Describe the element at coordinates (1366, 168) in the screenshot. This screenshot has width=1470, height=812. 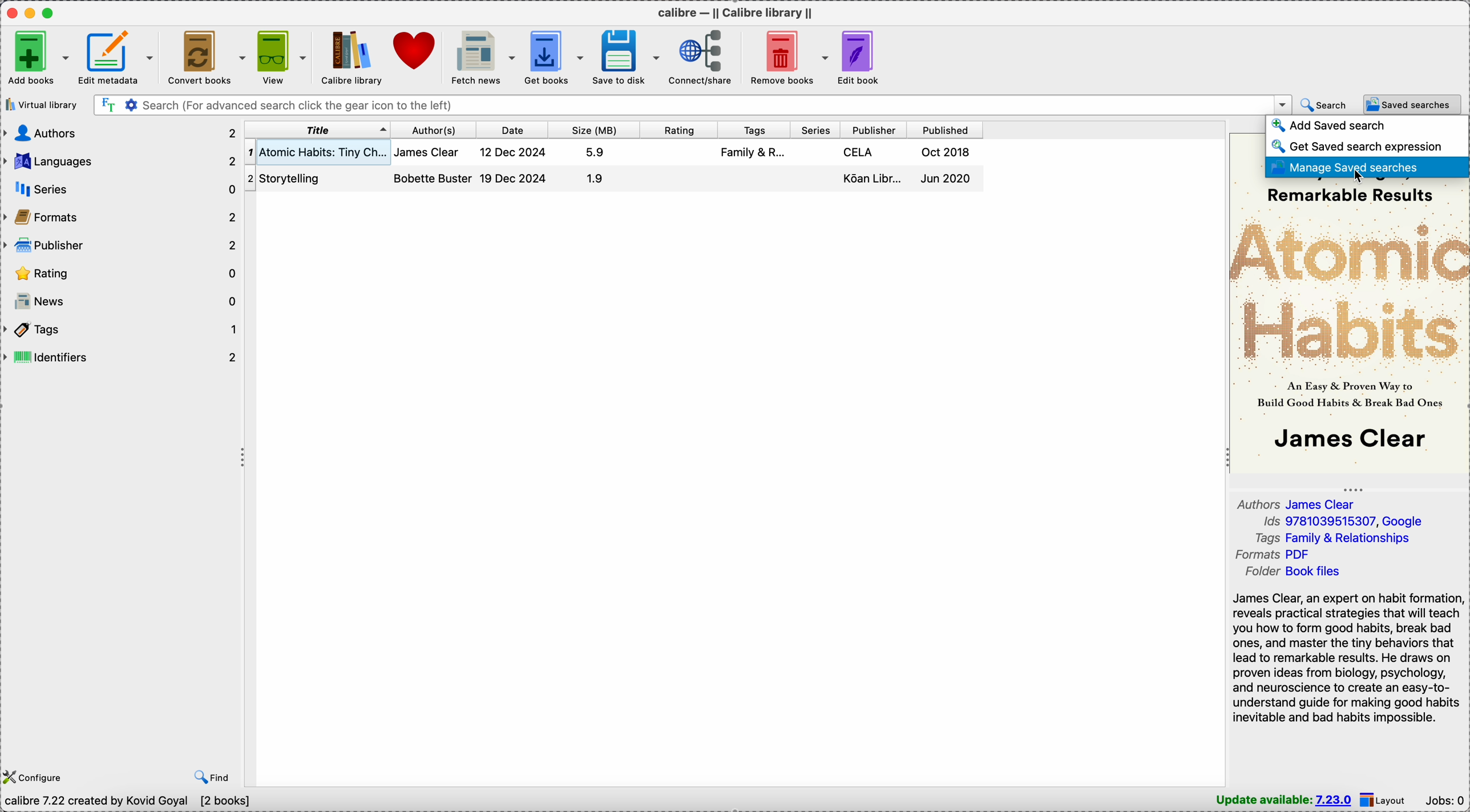
I see `manage saved searches` at that location.